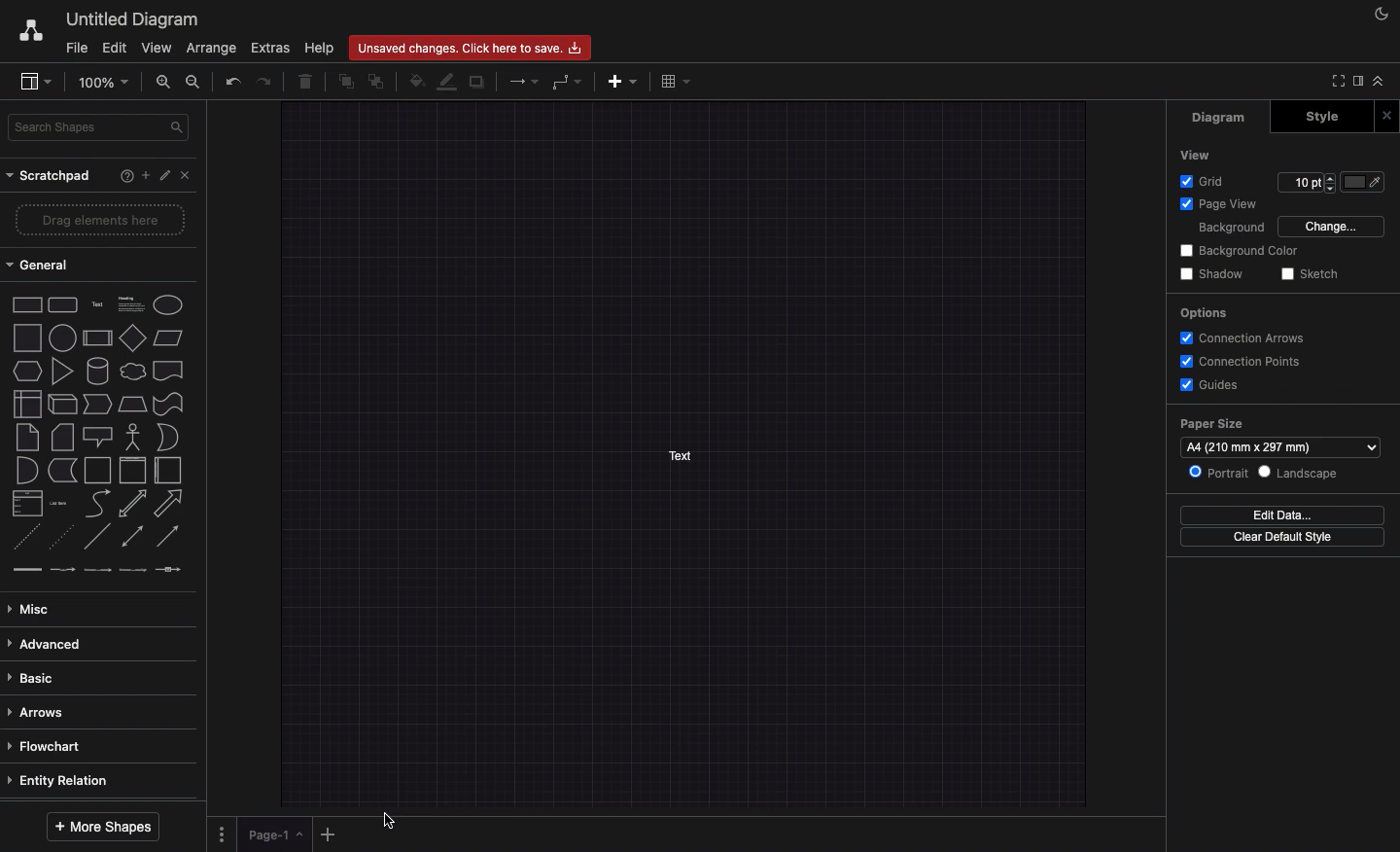 The height and width of the screenshot is (852, 1400). I want to click on Add, so click(623, 82).